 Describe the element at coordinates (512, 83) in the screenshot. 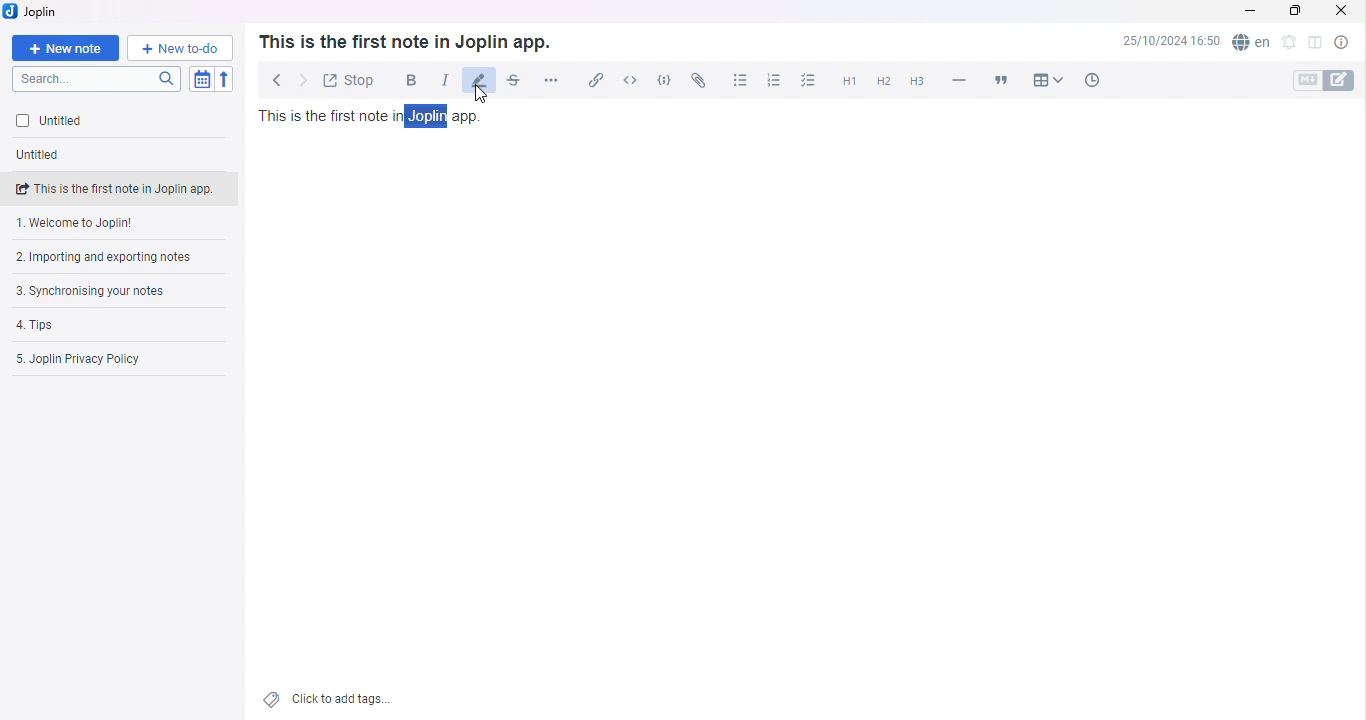

I see `Strikethrough` at that location.